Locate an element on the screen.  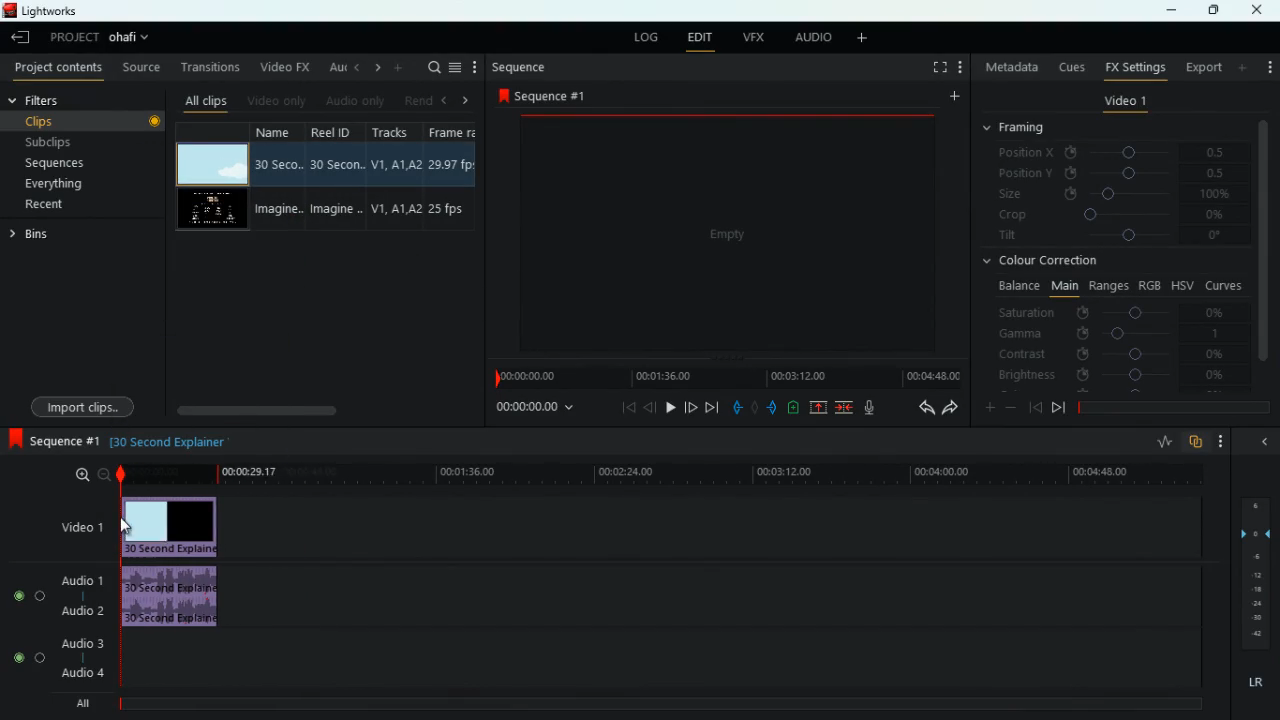
forward is located at coordinates (950, 408).